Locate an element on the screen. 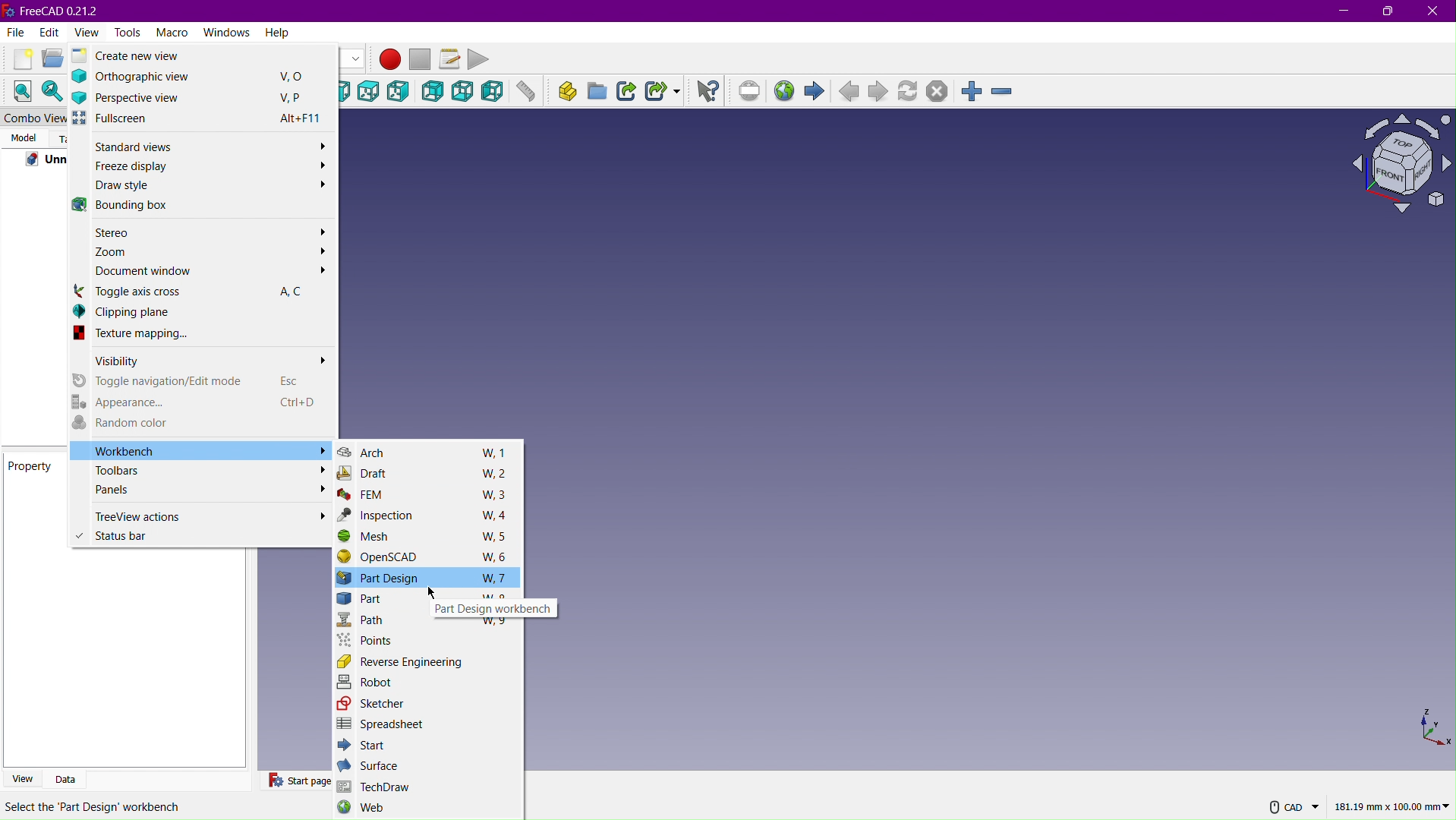 The width and height of the screenshot is (1456, 820). Make Sub-Link is located at coordinates (663, 94).